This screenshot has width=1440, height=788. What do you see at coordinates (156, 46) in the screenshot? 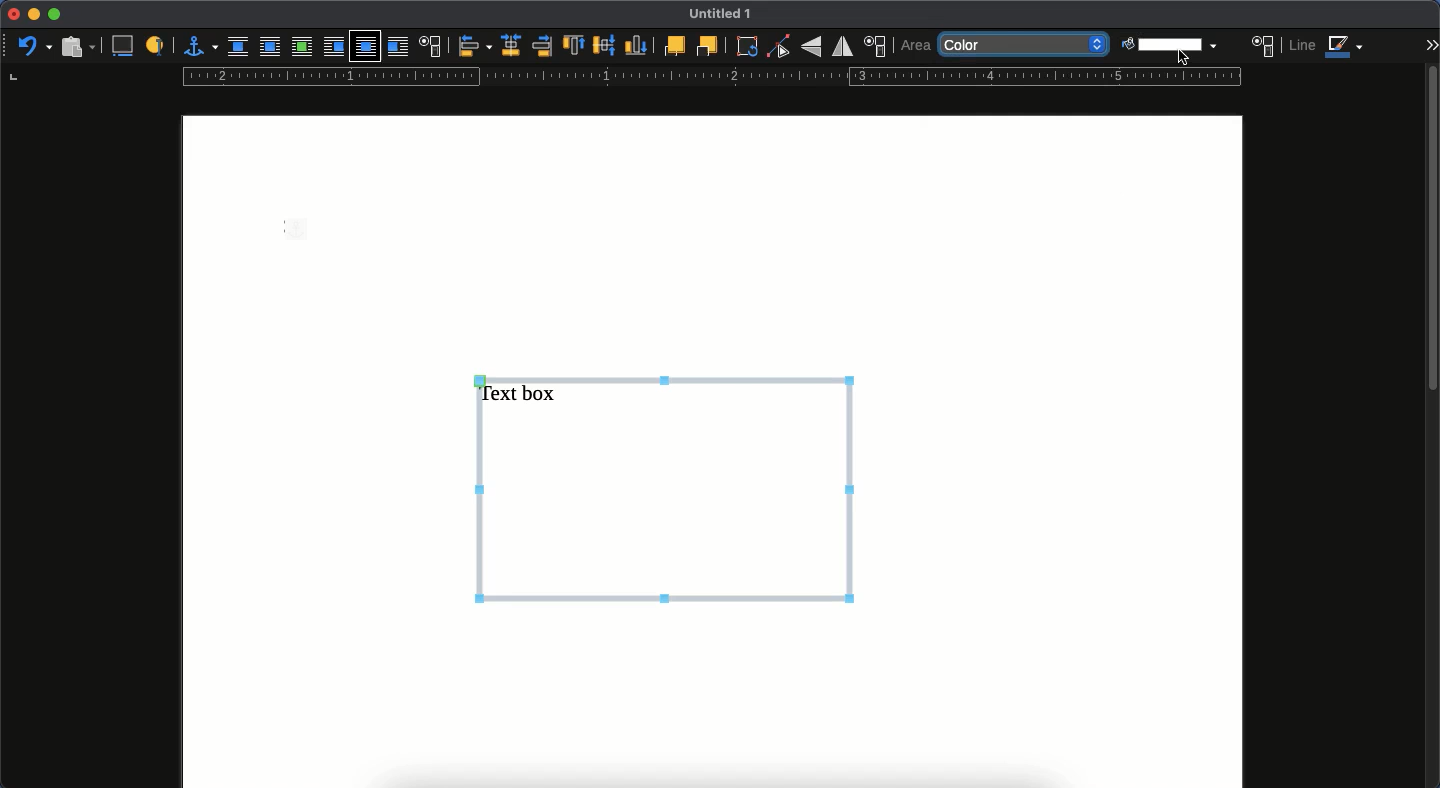
I see `a label to identify an object` at bounding box center [156, 46].